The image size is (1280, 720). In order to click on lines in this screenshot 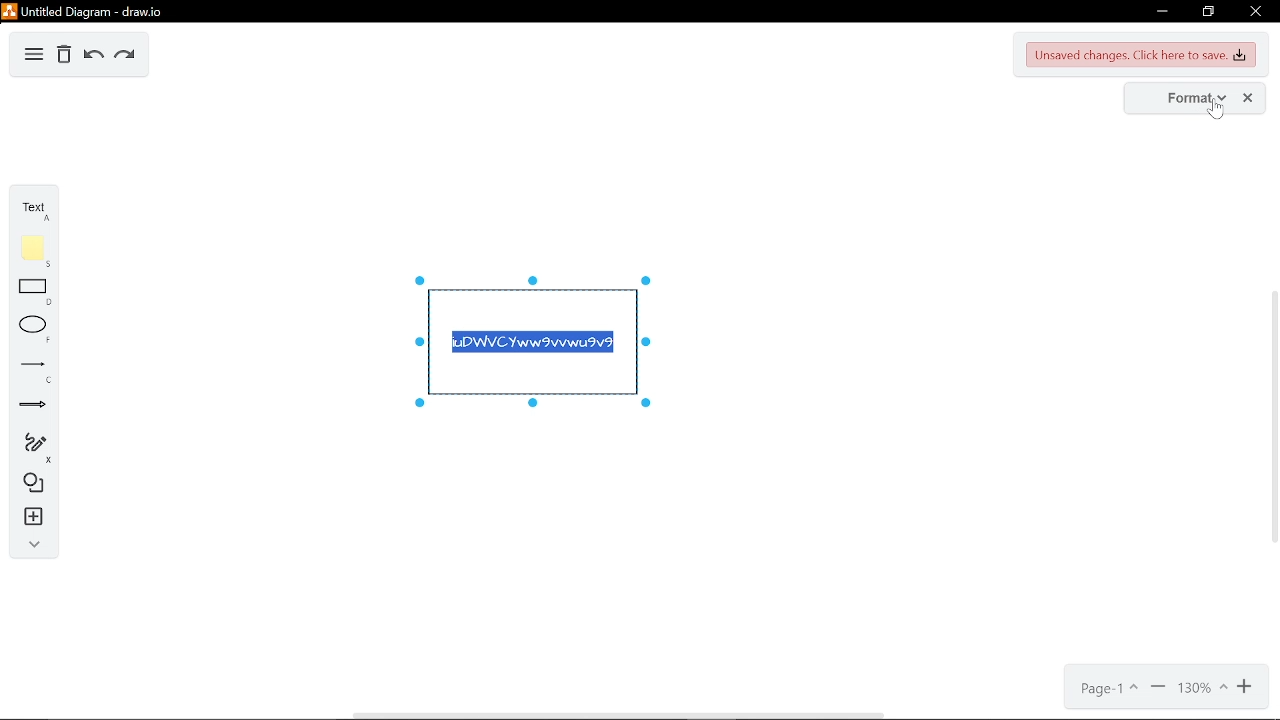, I will do `click(27, 368)`.